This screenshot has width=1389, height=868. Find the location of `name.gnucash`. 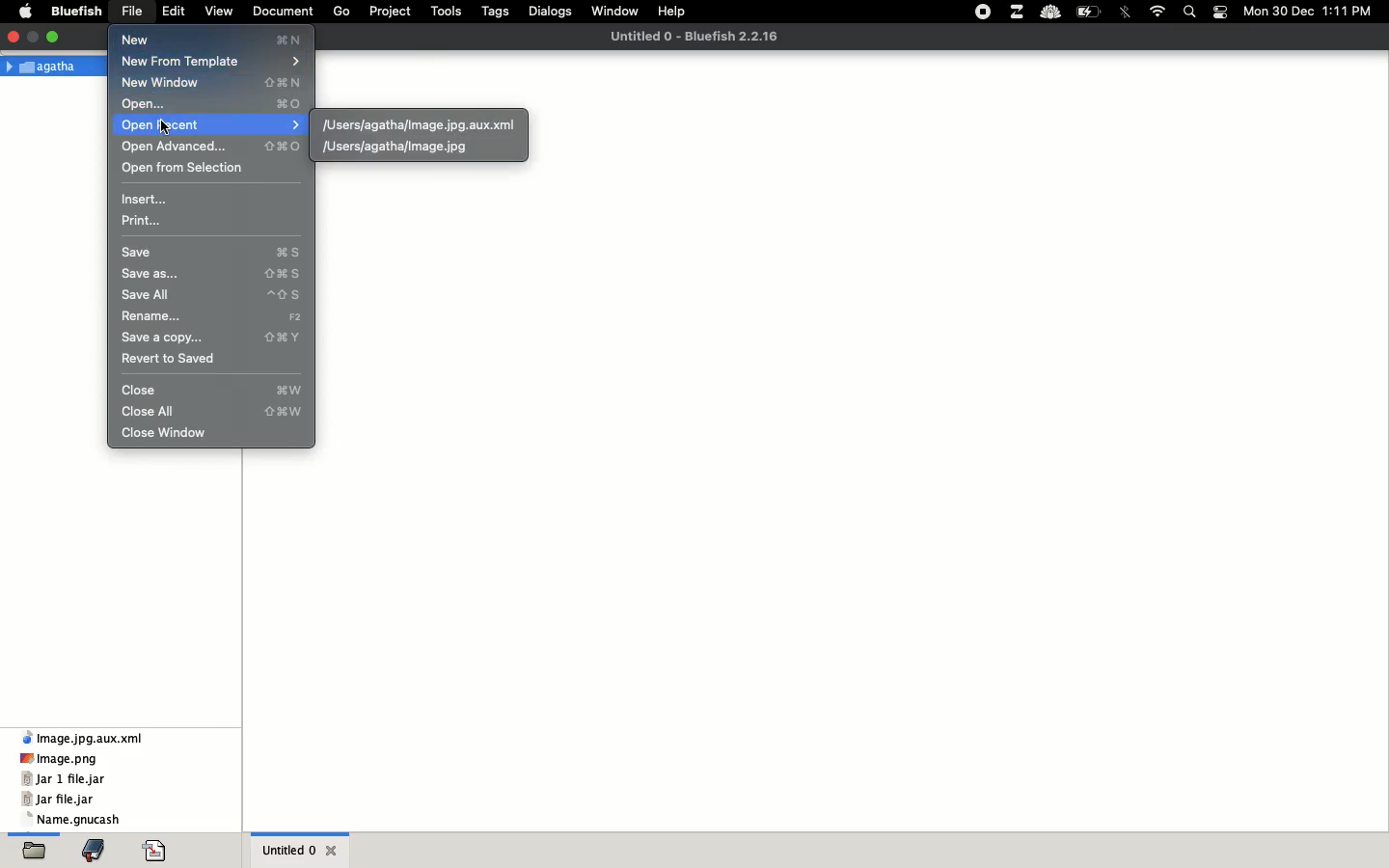

name.gnucash is located at coordinates (78, 820).